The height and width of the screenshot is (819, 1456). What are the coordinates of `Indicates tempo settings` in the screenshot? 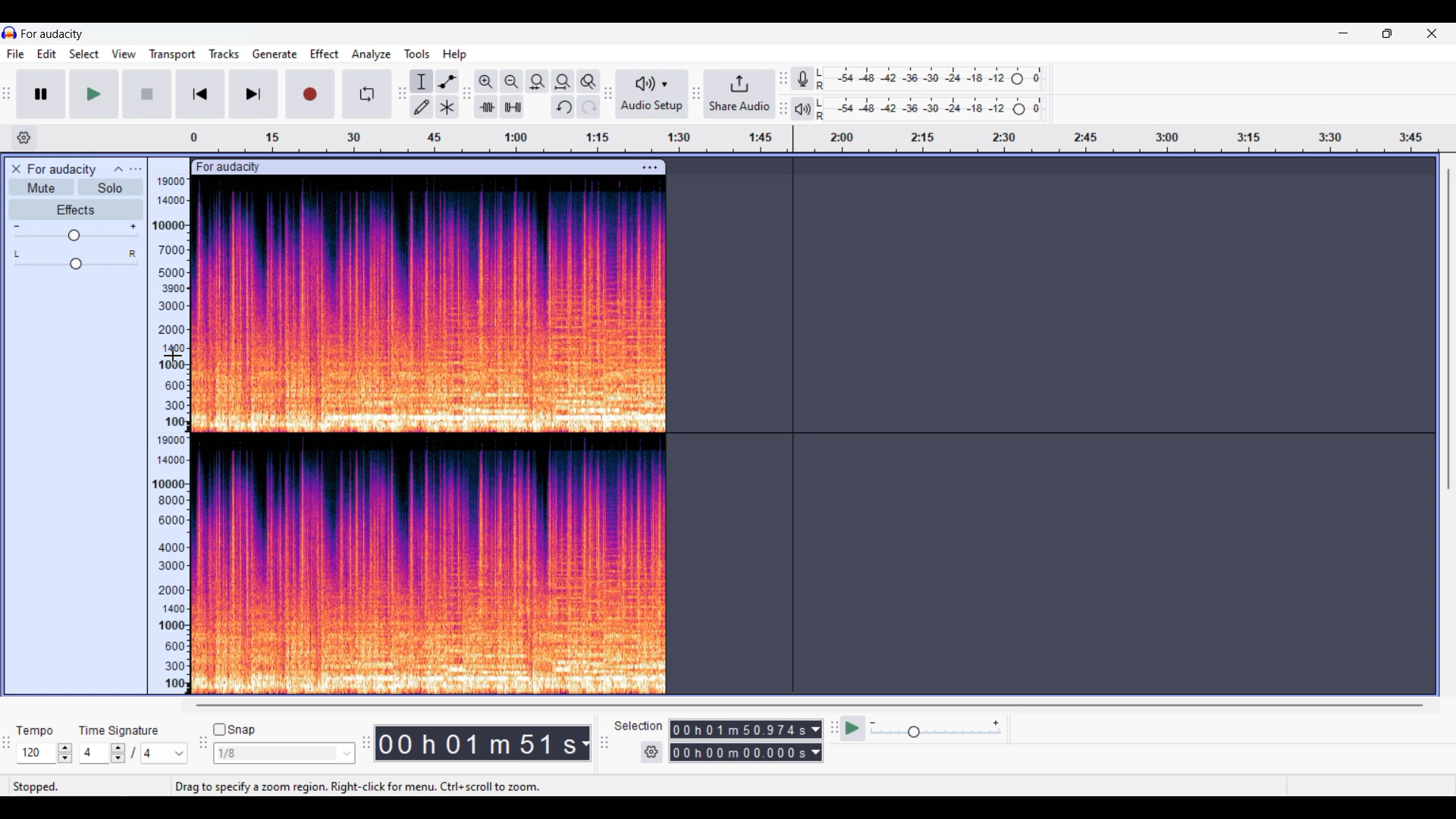 It's located at (35, 730).